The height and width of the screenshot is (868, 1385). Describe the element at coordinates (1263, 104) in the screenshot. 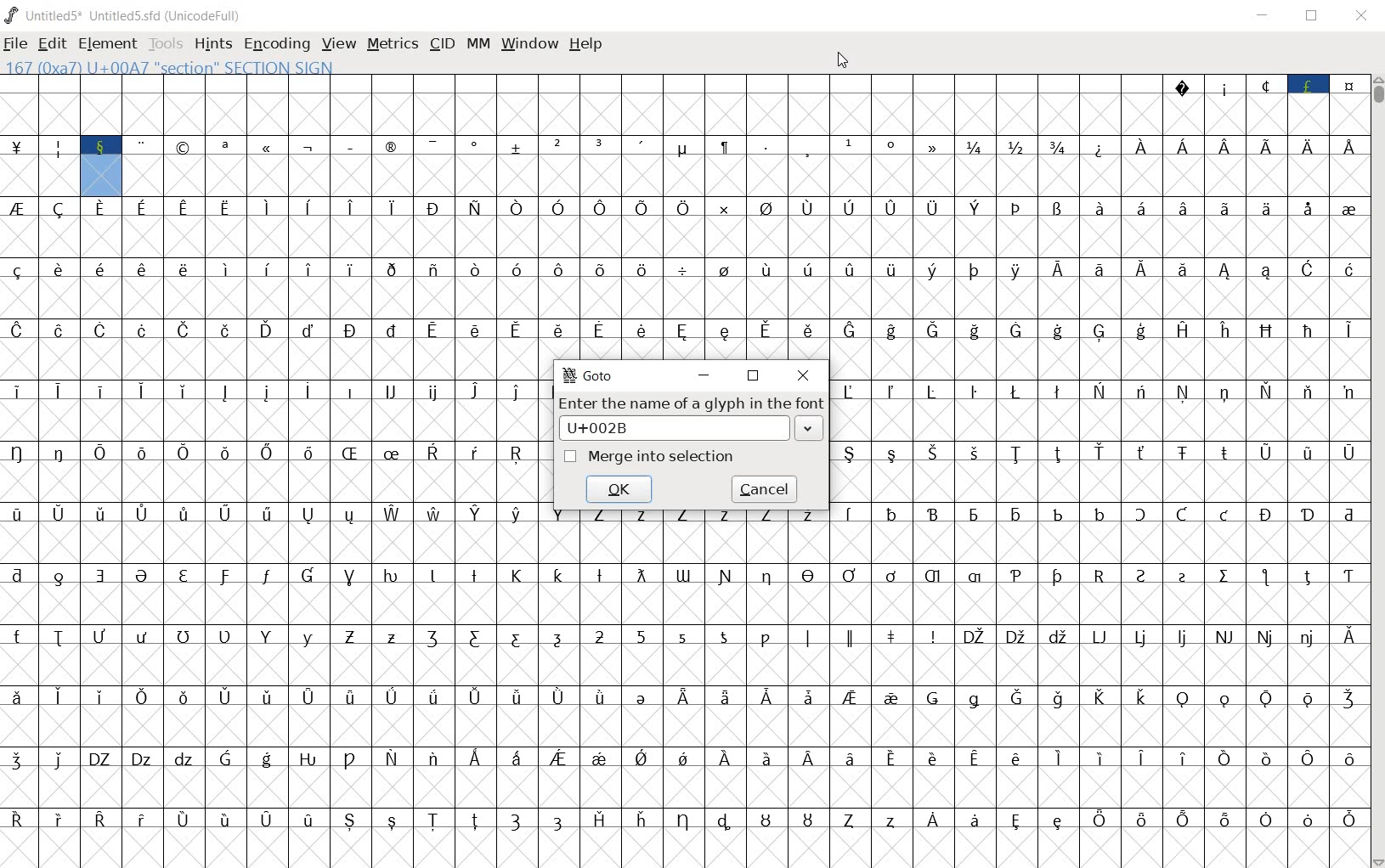

I see `special characters` at that location.